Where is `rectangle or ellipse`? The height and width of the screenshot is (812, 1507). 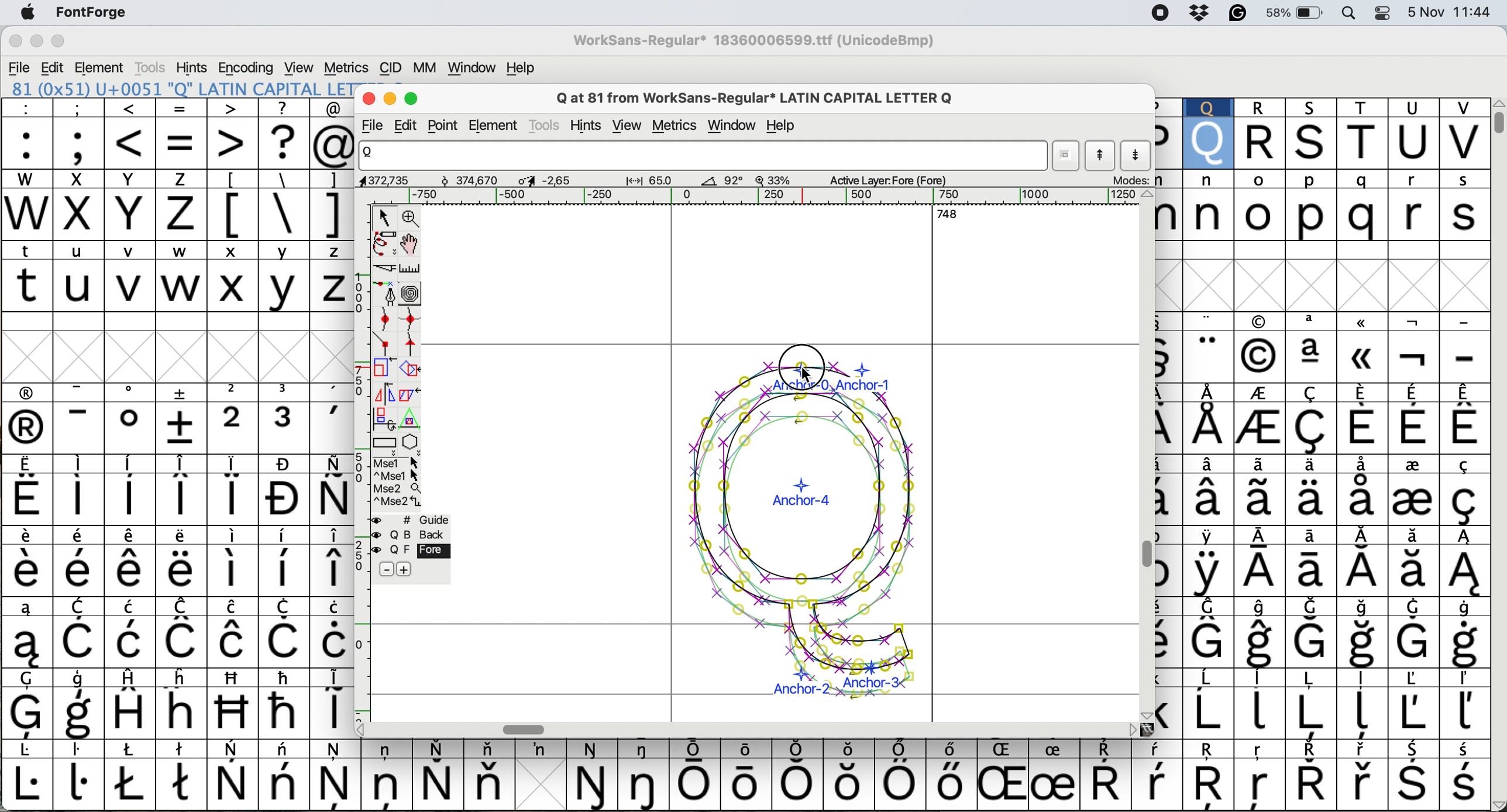
rectangle or ellipse is located at coordinates (386, 445).